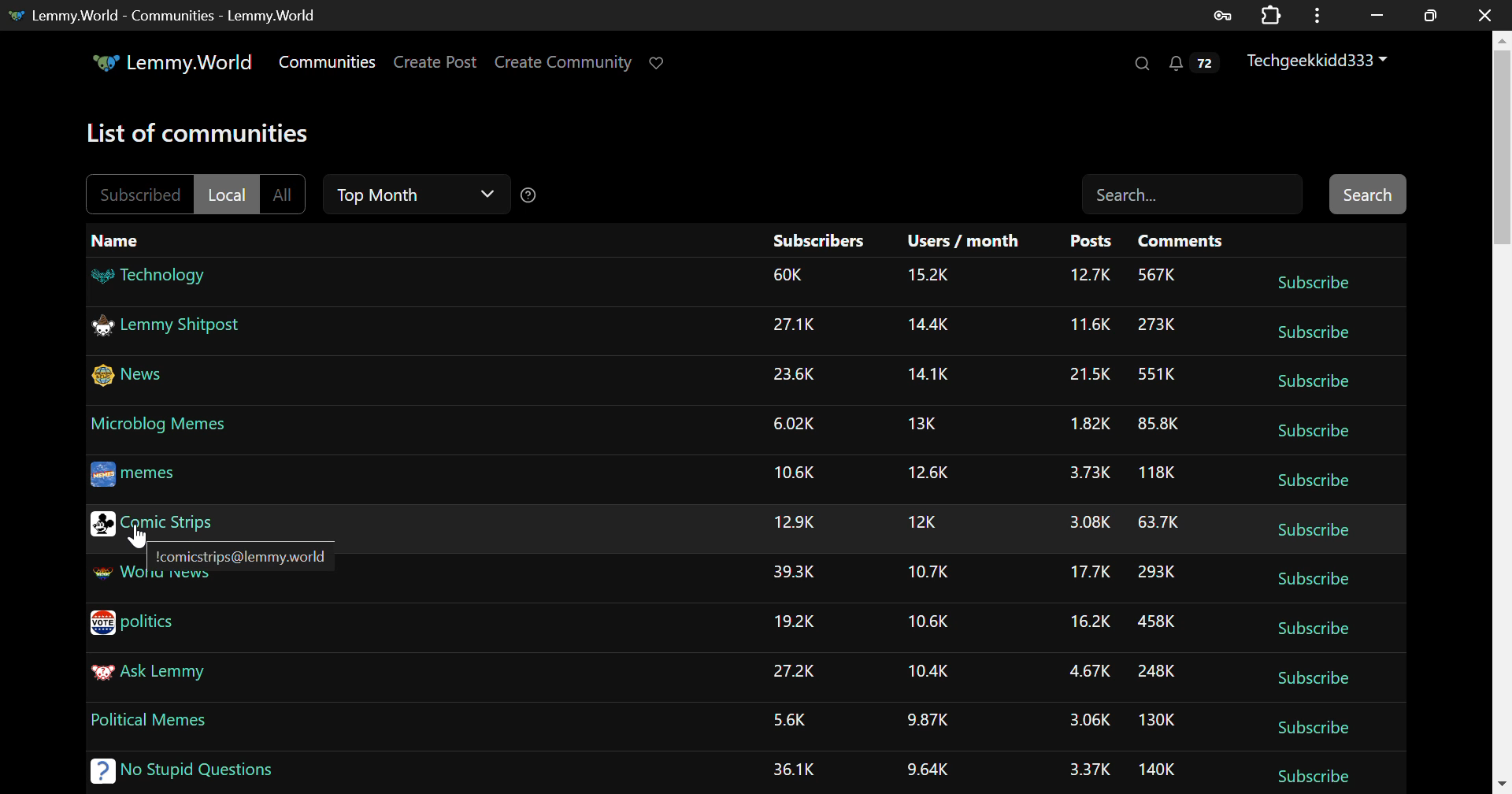  Describe the element at coordinates (1317, 481) in the screenshot. I see `Subscribe` at that location.